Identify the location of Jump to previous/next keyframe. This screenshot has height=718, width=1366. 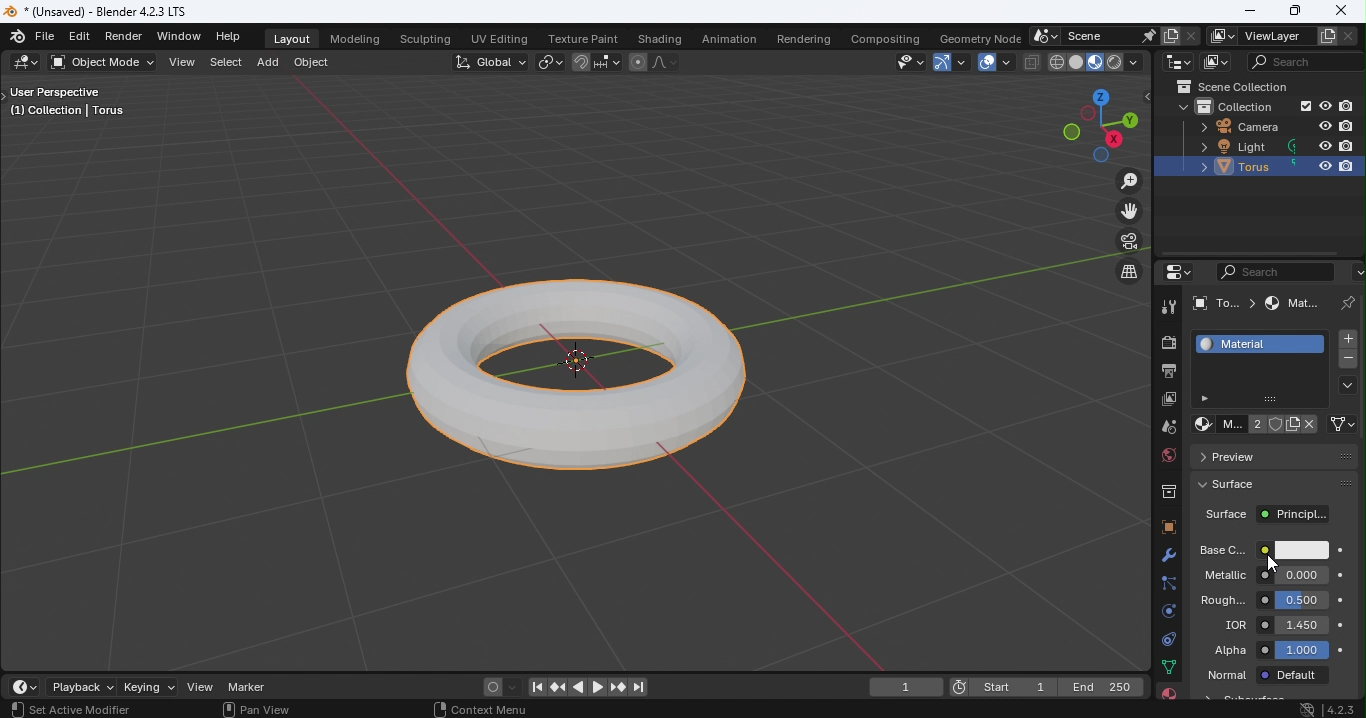
(617, 689).